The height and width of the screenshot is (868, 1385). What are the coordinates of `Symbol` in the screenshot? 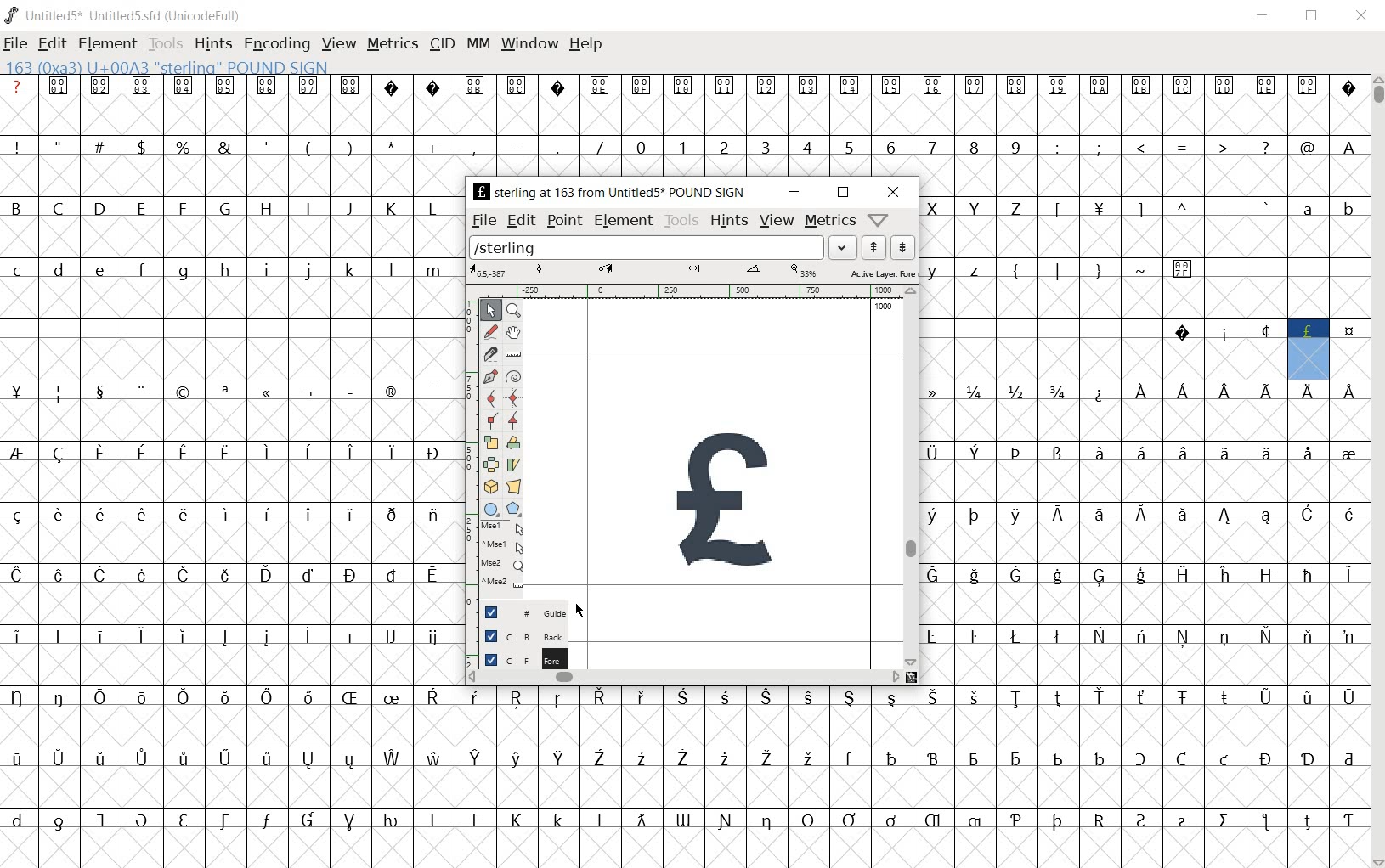 It's located at (97, 634).